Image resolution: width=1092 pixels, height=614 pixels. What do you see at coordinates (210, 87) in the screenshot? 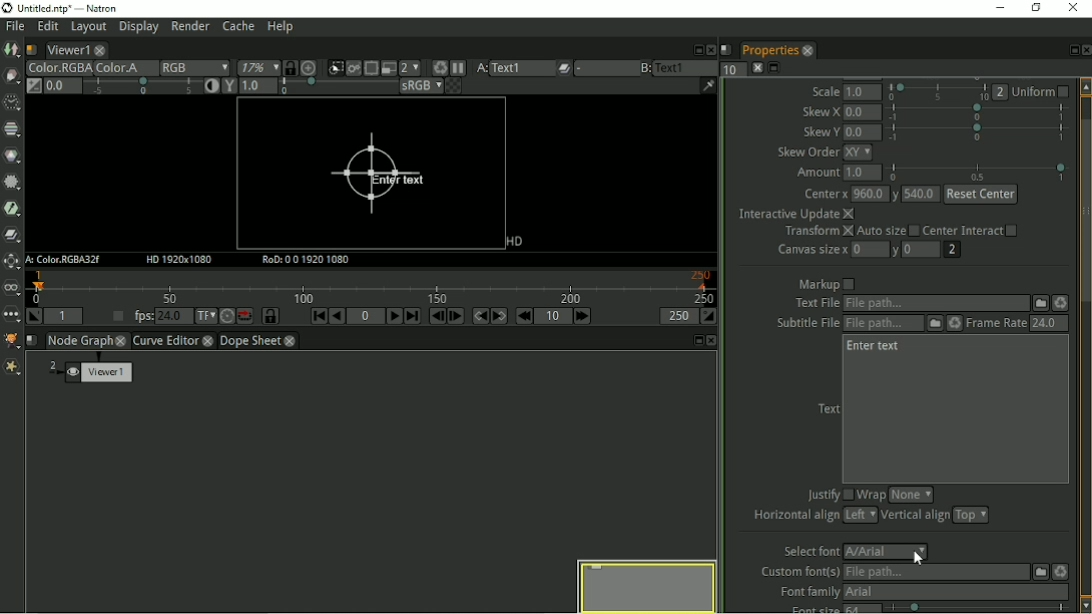
I see `Auto-contrast` at bounding box center [210, 87].